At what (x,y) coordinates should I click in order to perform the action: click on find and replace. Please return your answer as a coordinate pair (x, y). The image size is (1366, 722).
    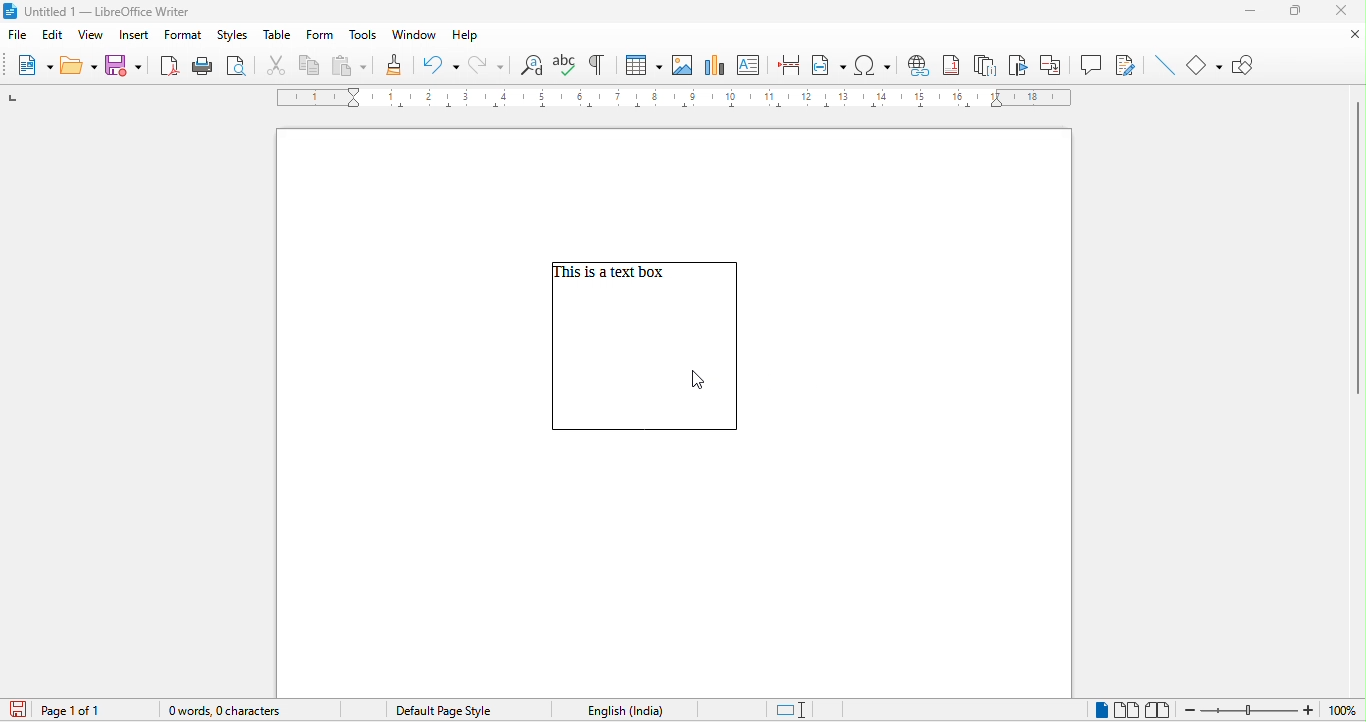
    Looking at the image, I should click on (532, 65).